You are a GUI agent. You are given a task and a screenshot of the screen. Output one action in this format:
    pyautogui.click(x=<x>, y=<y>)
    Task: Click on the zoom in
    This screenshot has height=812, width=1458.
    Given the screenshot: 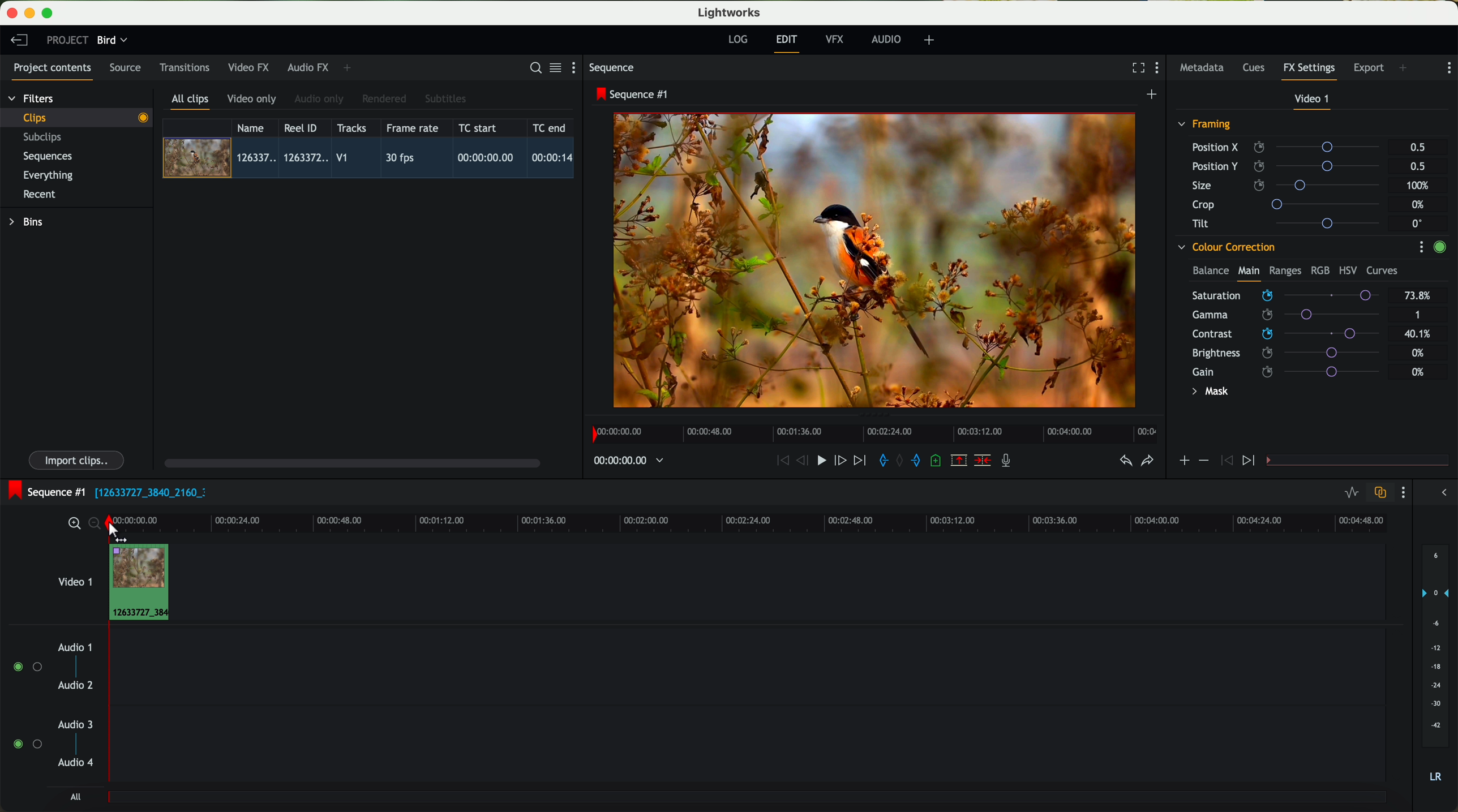 What is the action you would take?
    pyautogui.click(x=72, y=524)
    